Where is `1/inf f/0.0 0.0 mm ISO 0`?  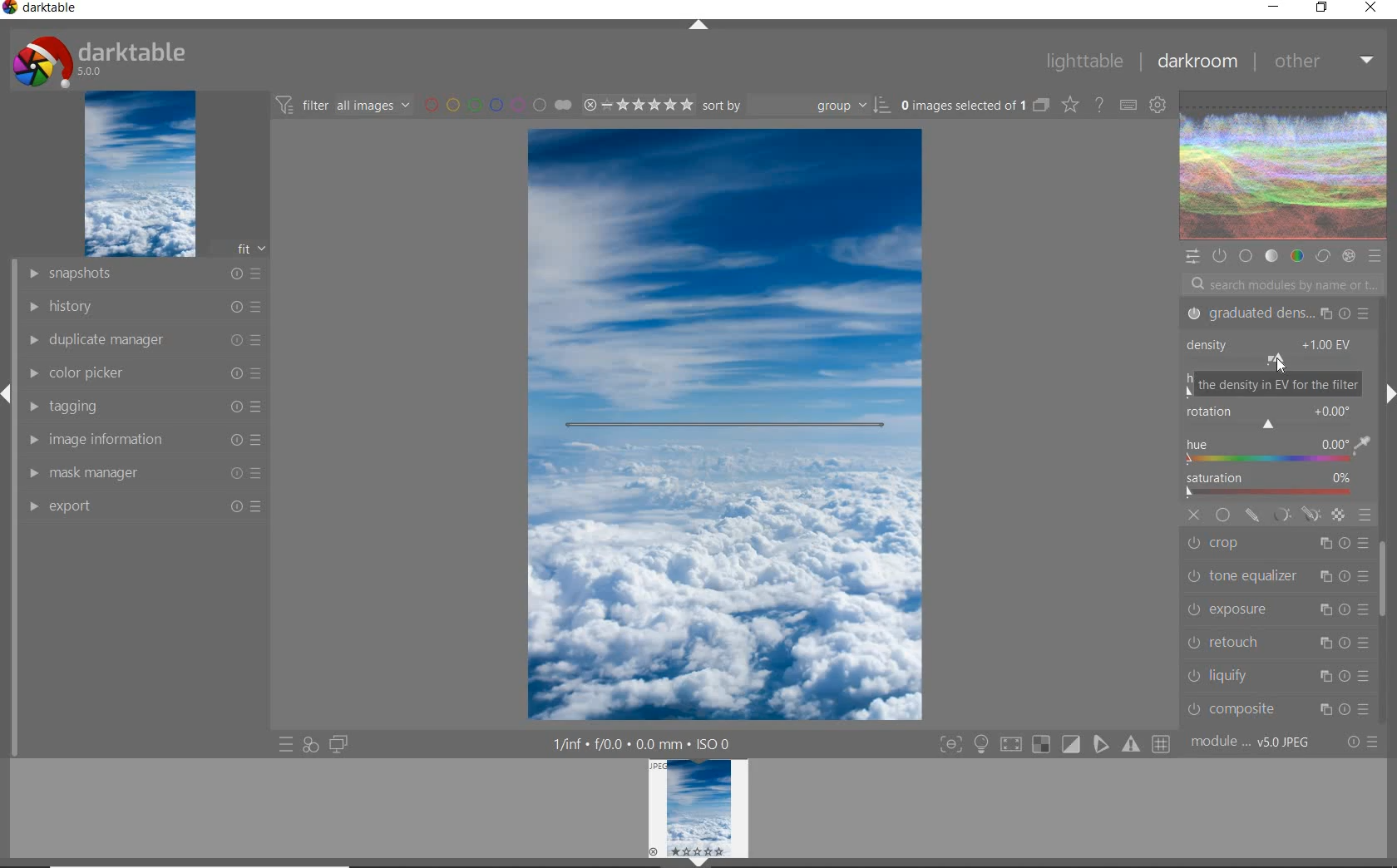 1/inf f/0.0 0.0 mm ISO 0 is located at coordinates (645, 742).